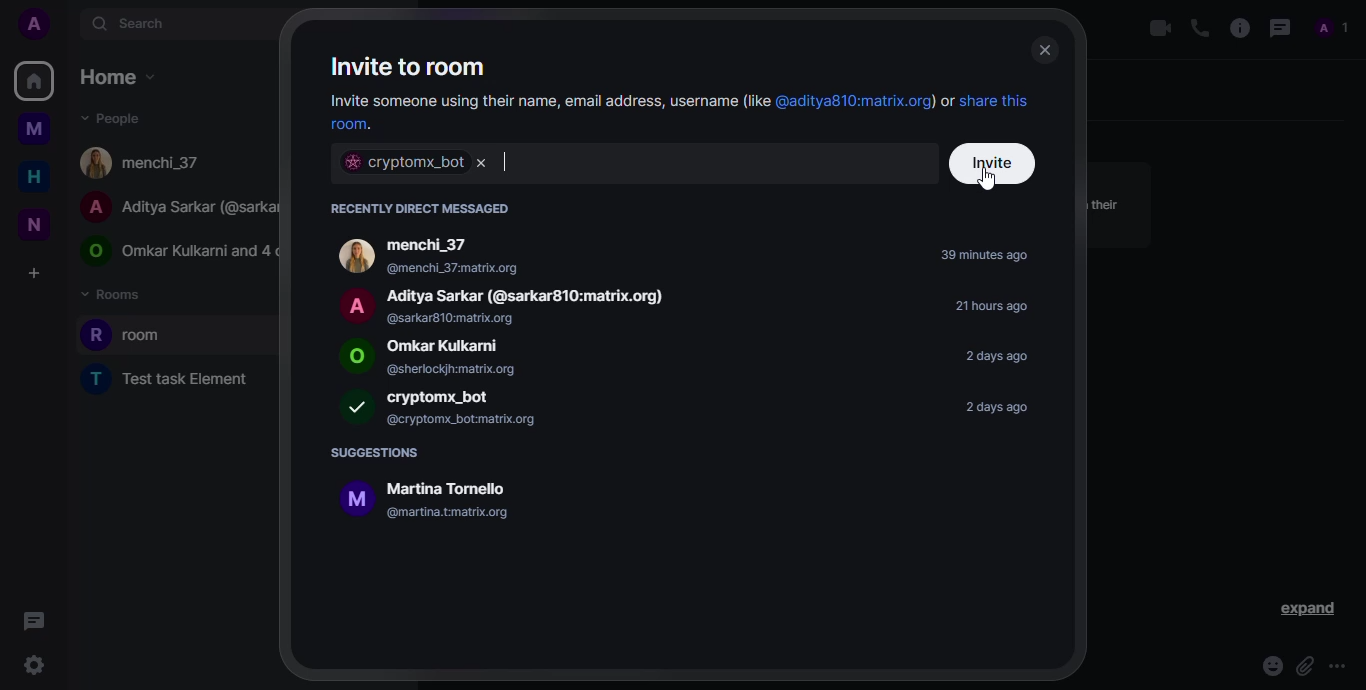 The height and width of the screenshot is (690, 1366). What do you see at coordinates (403, 162) in the screenshot?
I see `cryptomx_bot` at bounding box center [403, 162].